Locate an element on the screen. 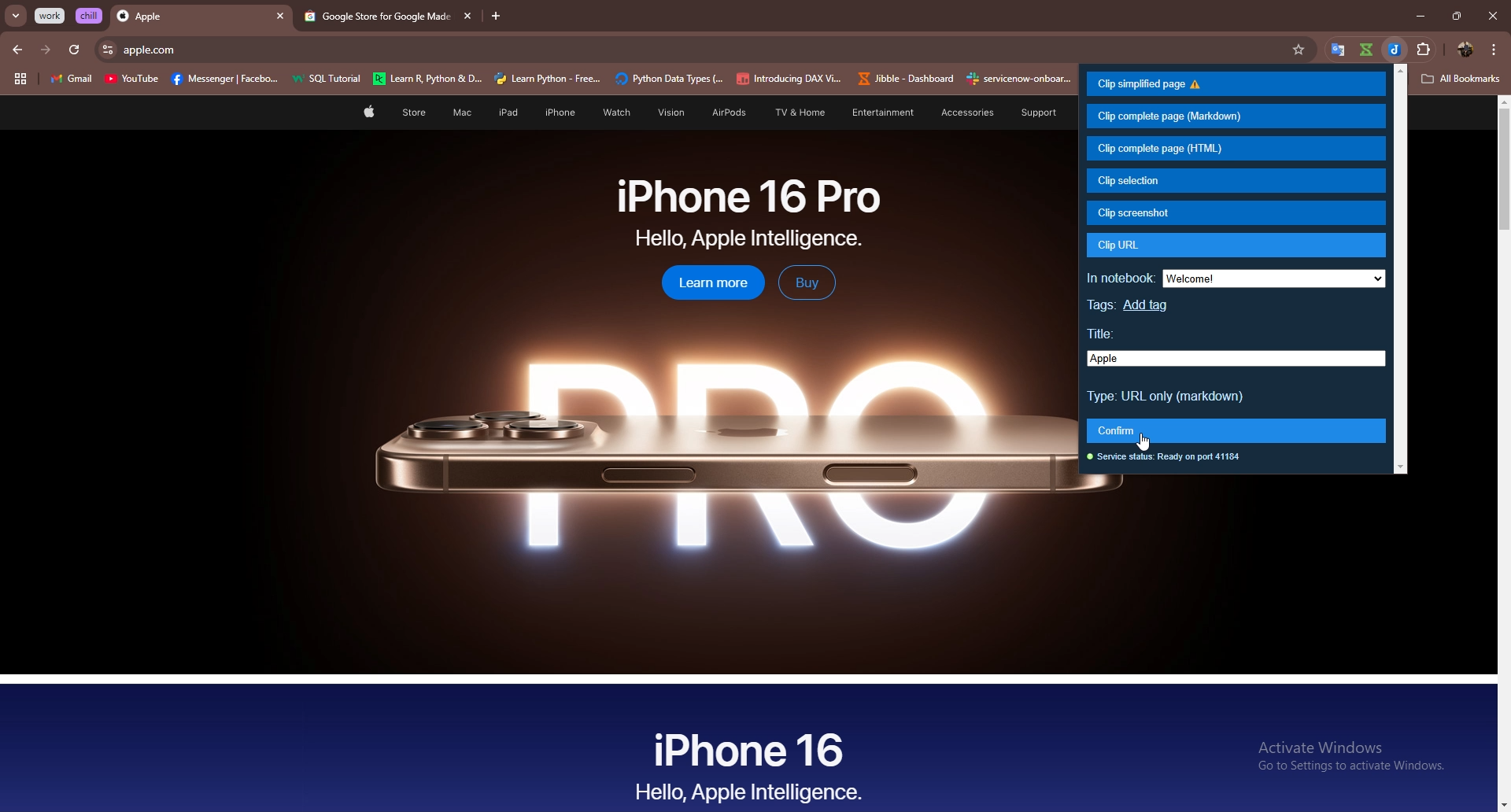 This screenshot has height=812, width=1511. google translate is located at coordinates (1365, 50).